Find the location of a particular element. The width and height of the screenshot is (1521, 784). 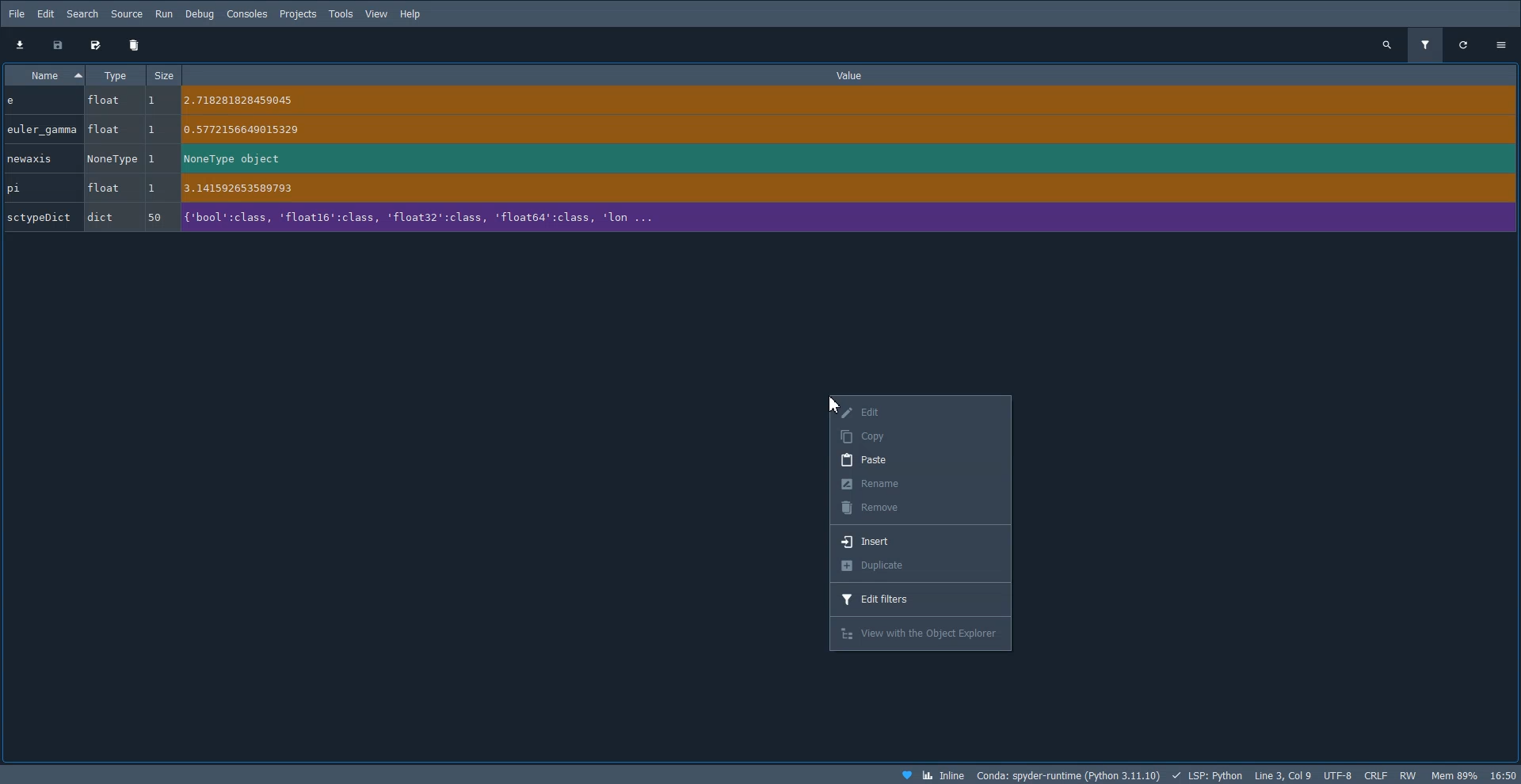

Search is located at coordinates (1387, 44).